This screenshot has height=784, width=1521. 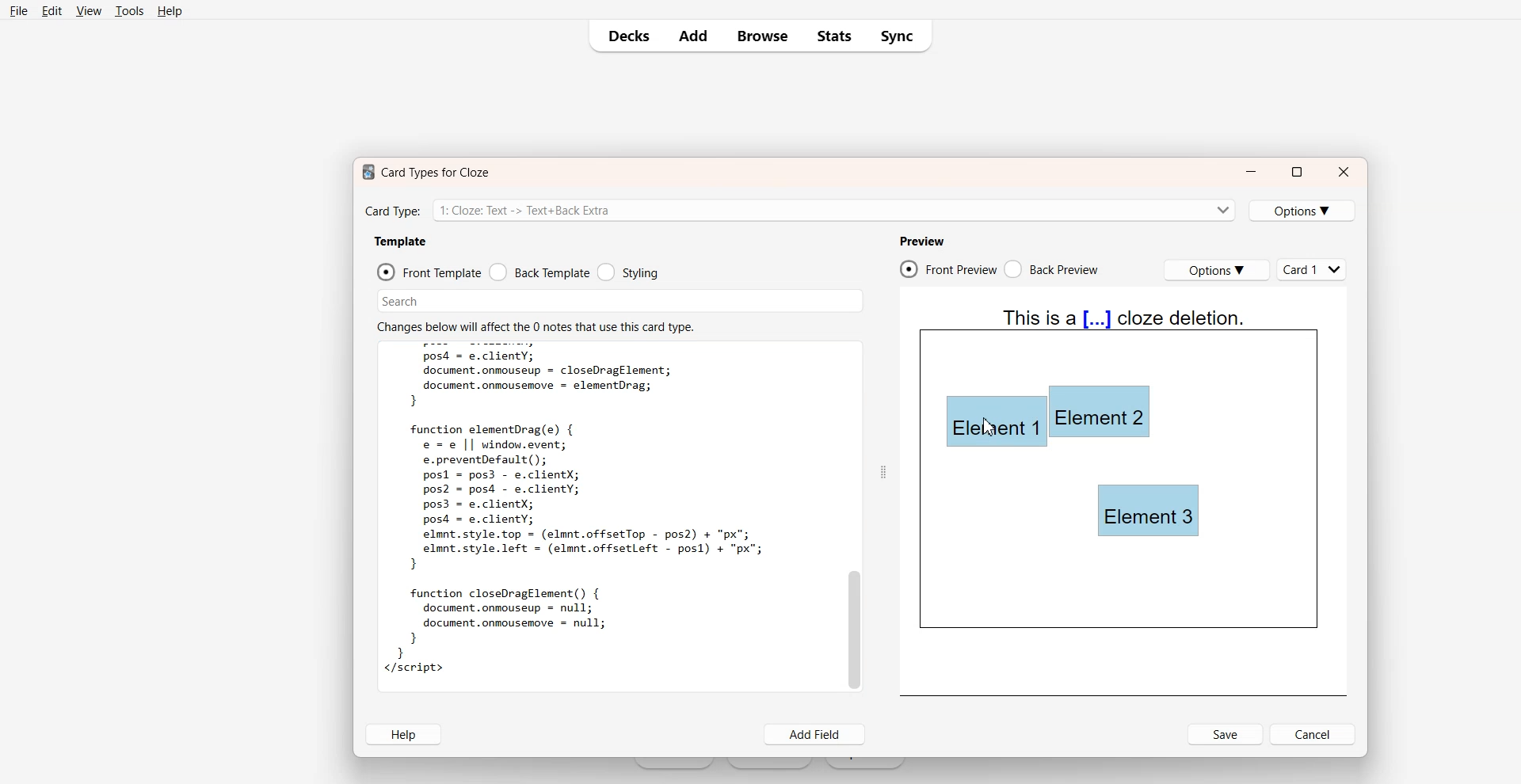 I want to click on Search, so click(x=621, y=301).